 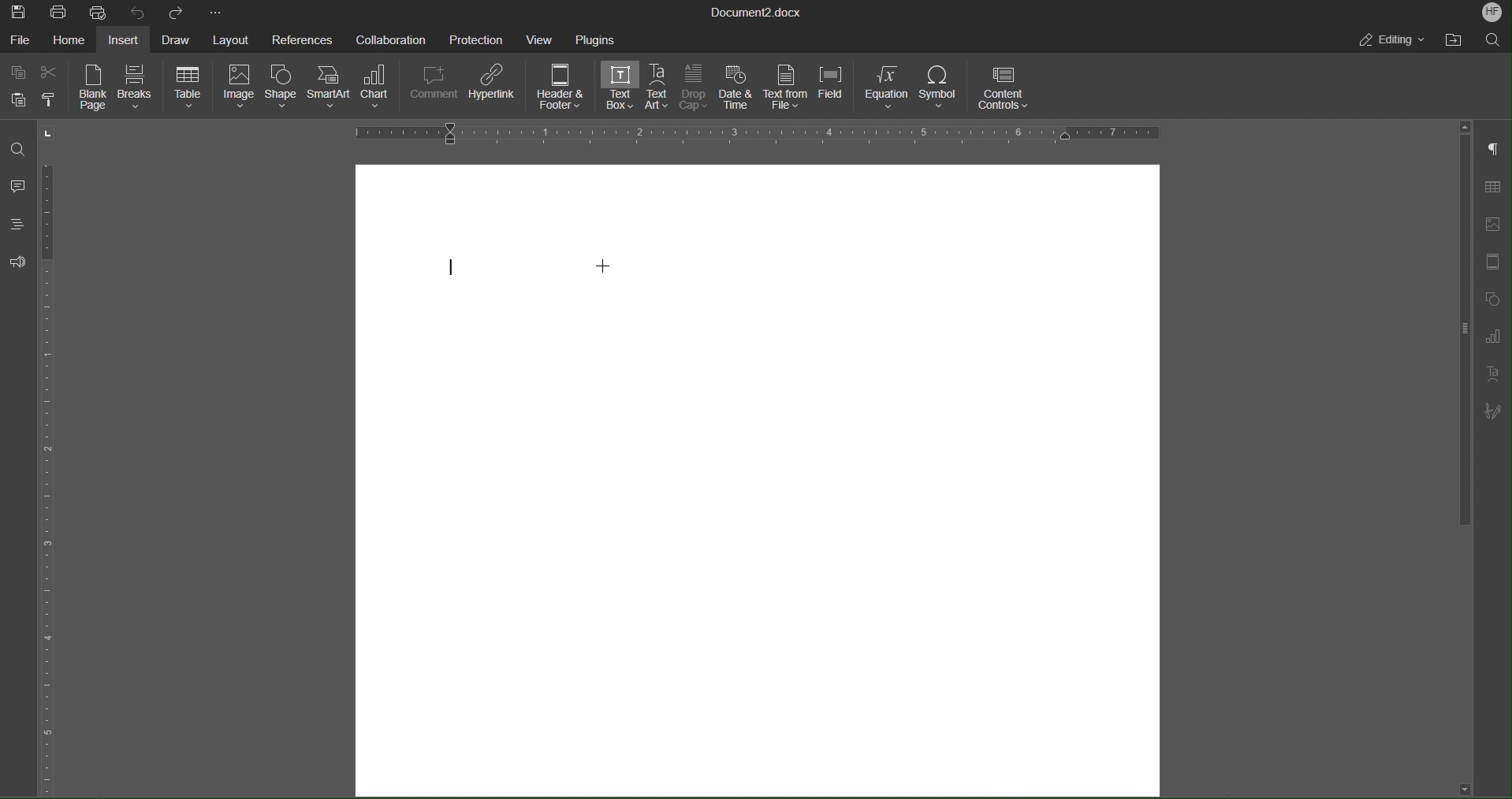 I want to click on Draw, so click(x=174, y=38).